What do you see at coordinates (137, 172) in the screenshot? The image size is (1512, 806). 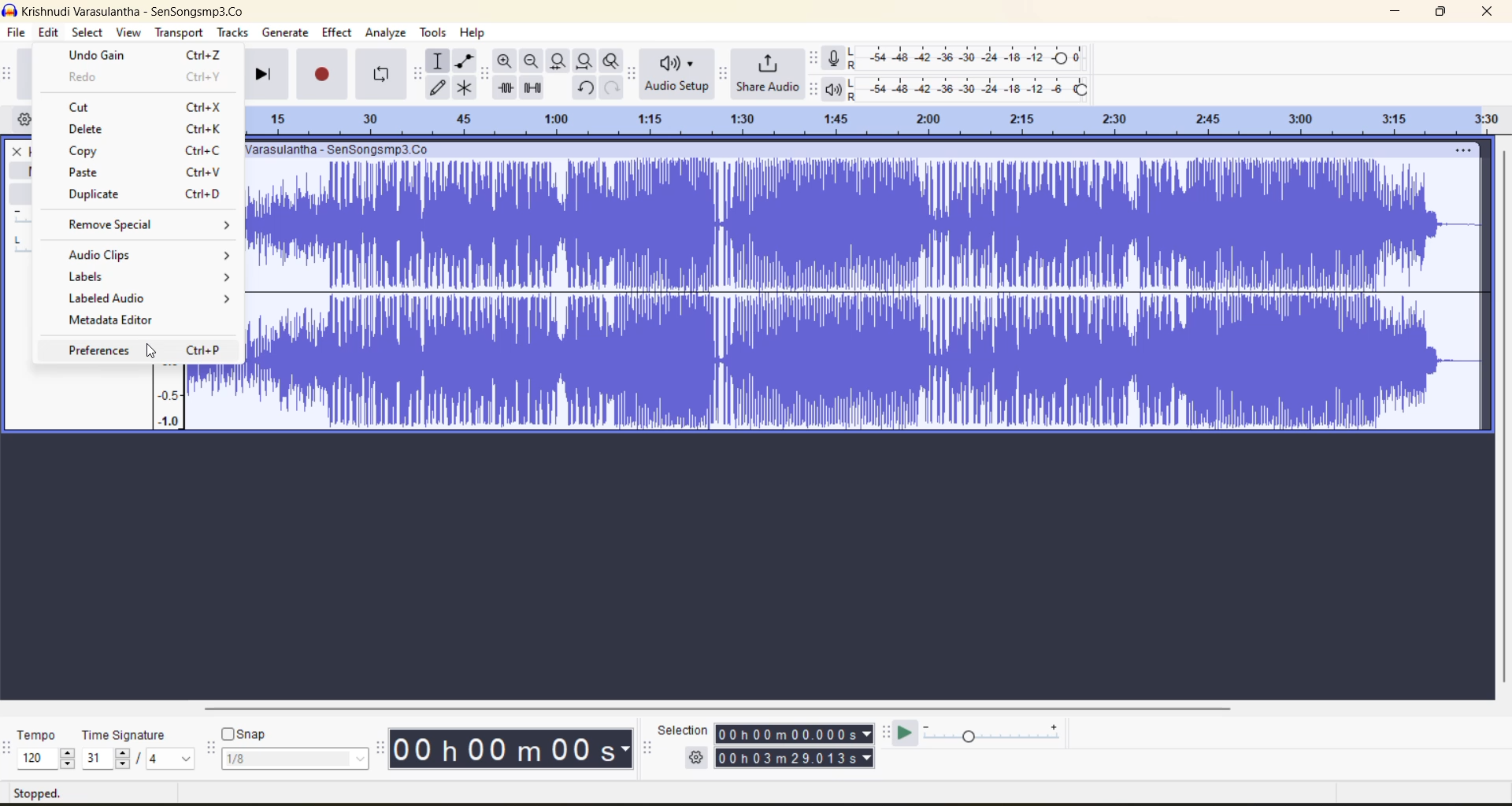 I see `paste` at bounding box center [137, 172].